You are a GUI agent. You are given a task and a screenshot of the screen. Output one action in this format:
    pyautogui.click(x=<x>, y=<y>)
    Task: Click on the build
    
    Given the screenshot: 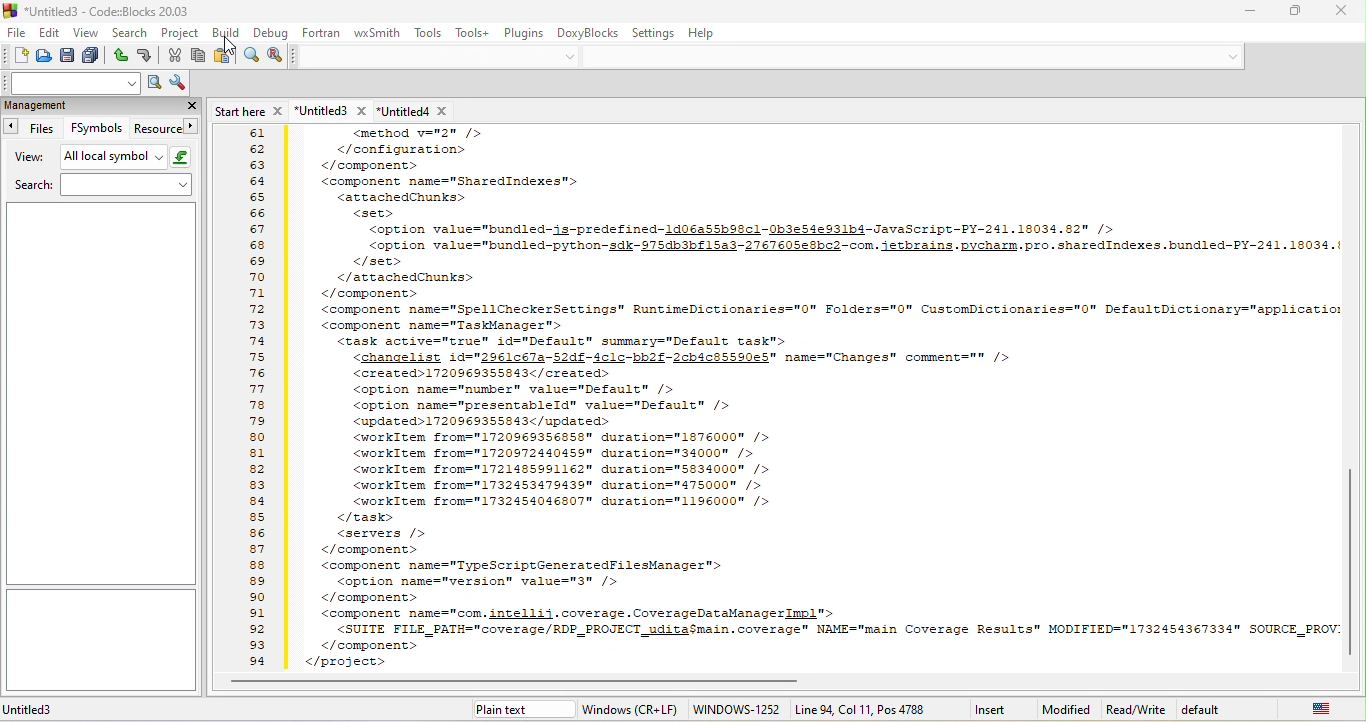 What is the action you would take?
    pyautogui.click(x=223, y=32)
    